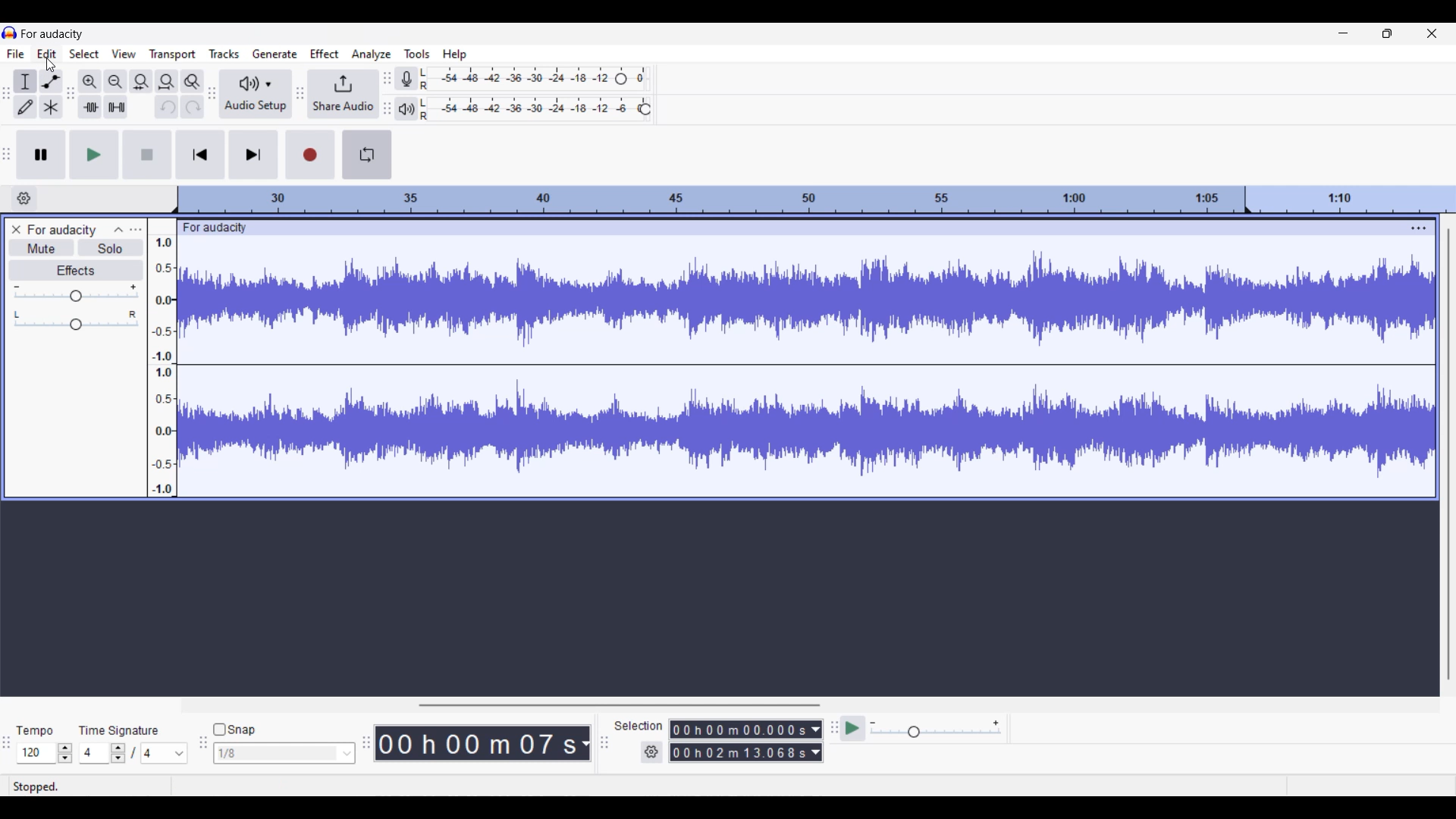  Describe the element at coordinates (234, 730) in the screenshot. I see `Snap toggle` at that location.